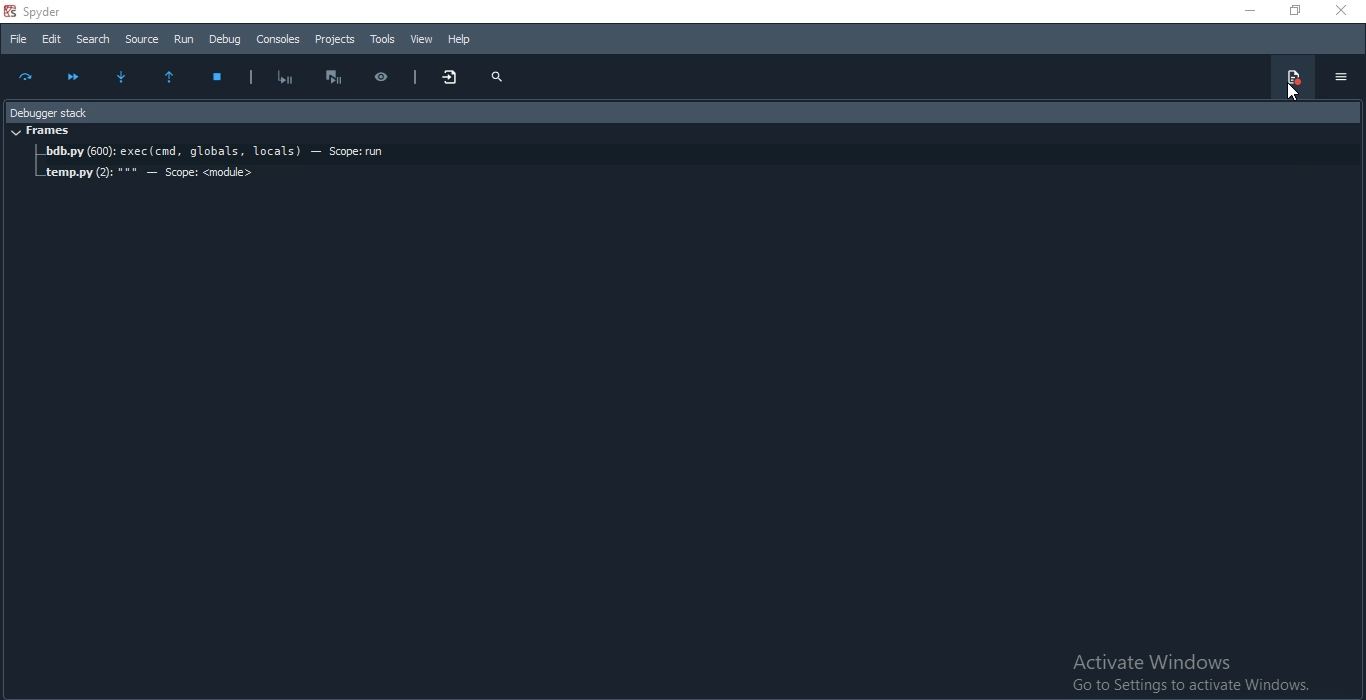  I want to click on Search, so click(92, 38).